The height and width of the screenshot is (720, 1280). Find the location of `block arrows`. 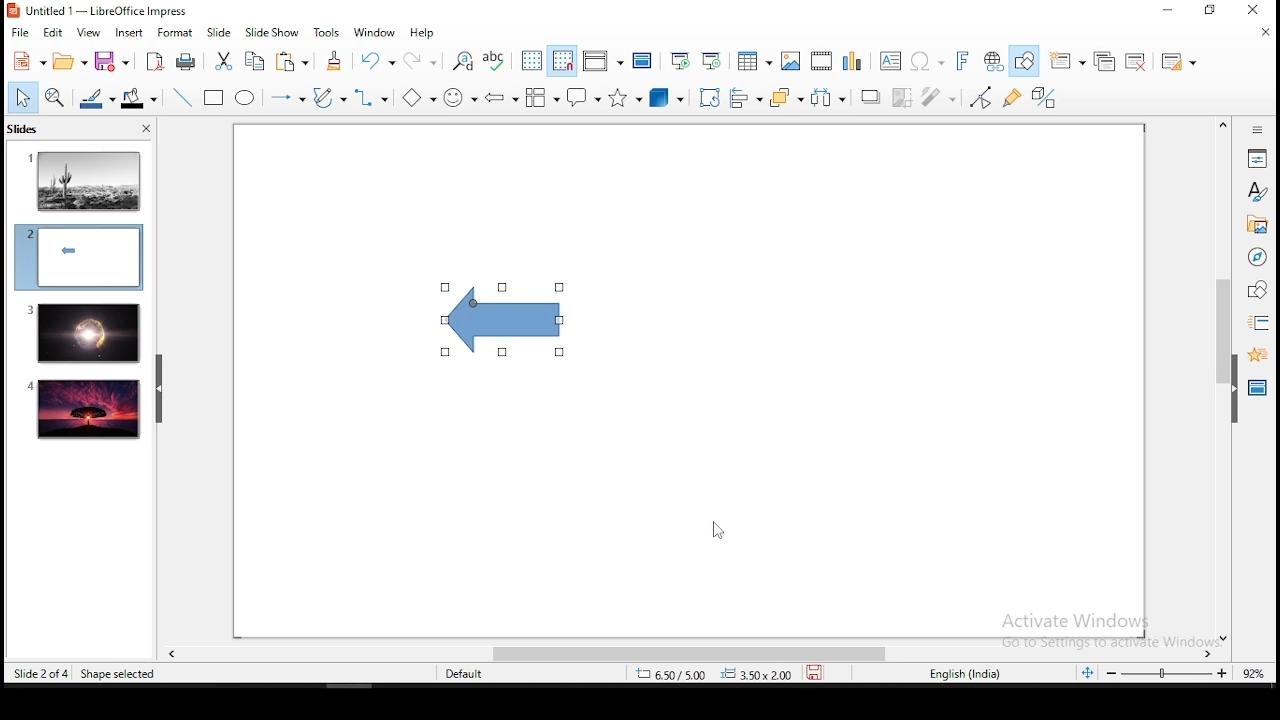

block arrows is located at coordinates (502, 99).